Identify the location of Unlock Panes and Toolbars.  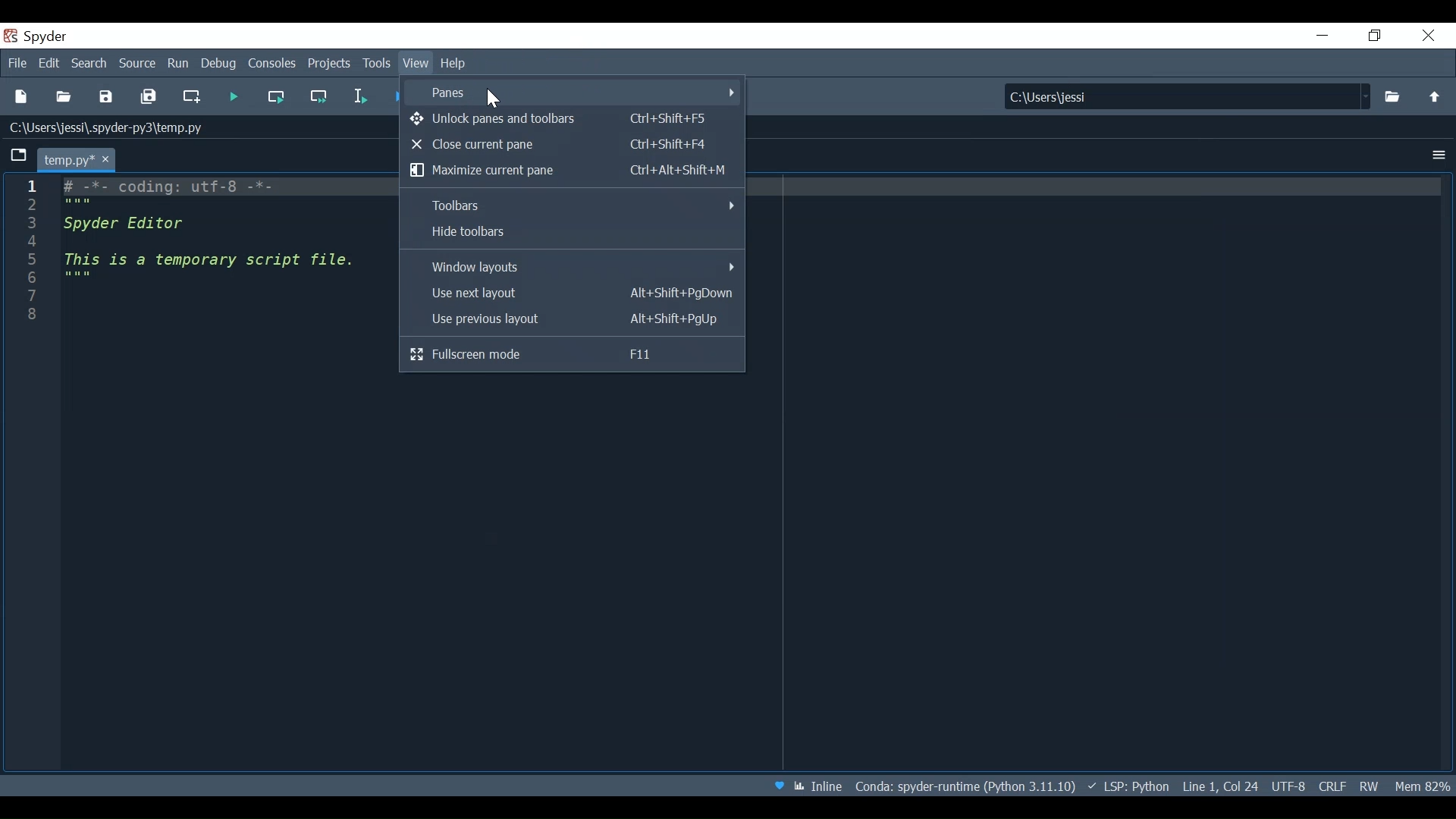
(562, 118).